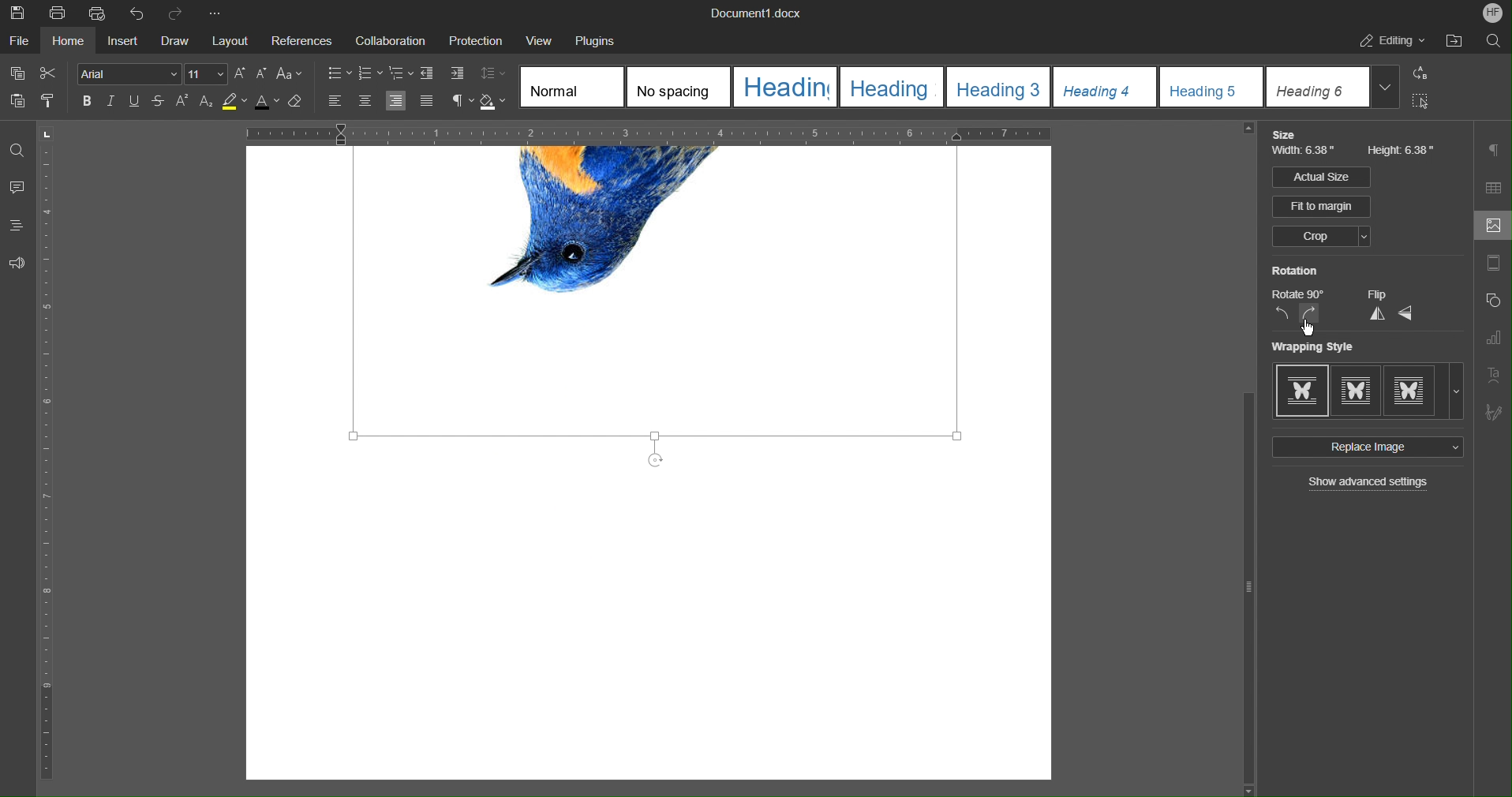 Image resolution: width=1512 pixels, height=797 pixels. Describe the element at coordinates (756, 12) in the screenshot. I see `Document1.docx` at that location.